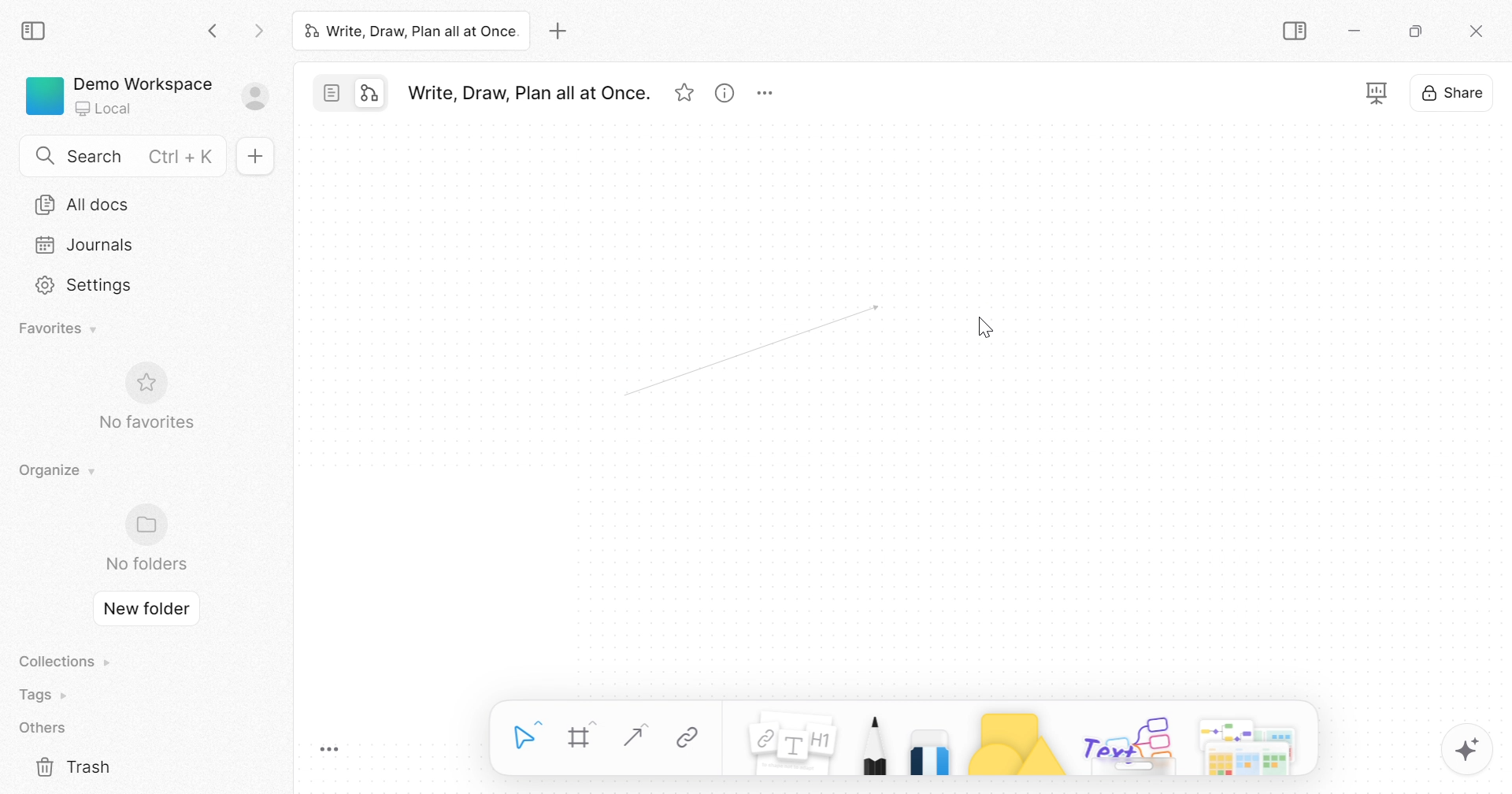 This screenshot has width=1512, height=794. Describe the element at coordinates (1015, 742) in the screenshot. I see `Shape` at that location.